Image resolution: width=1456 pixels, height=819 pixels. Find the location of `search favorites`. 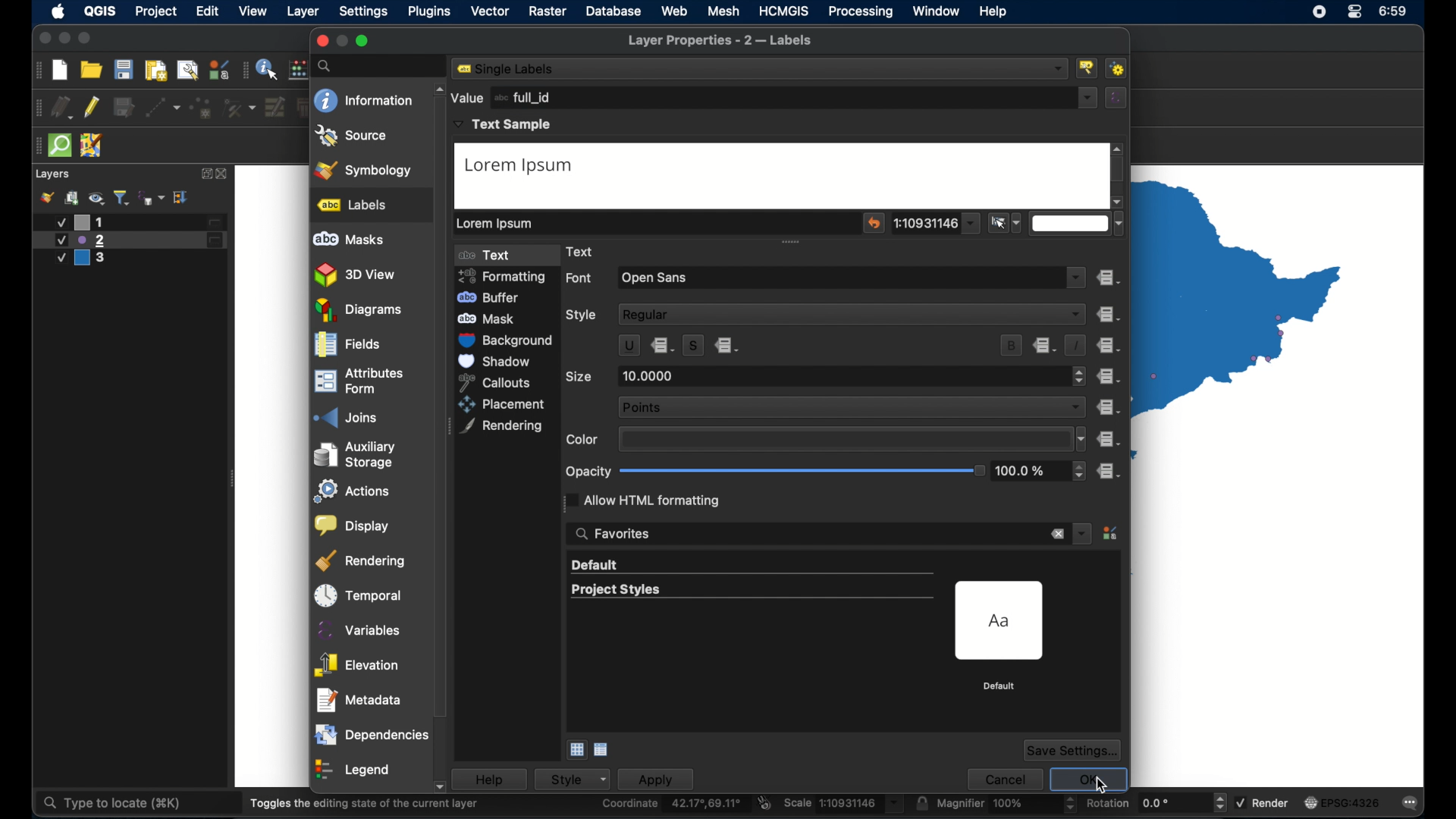

search favorites is located at coordinates (613, 535).